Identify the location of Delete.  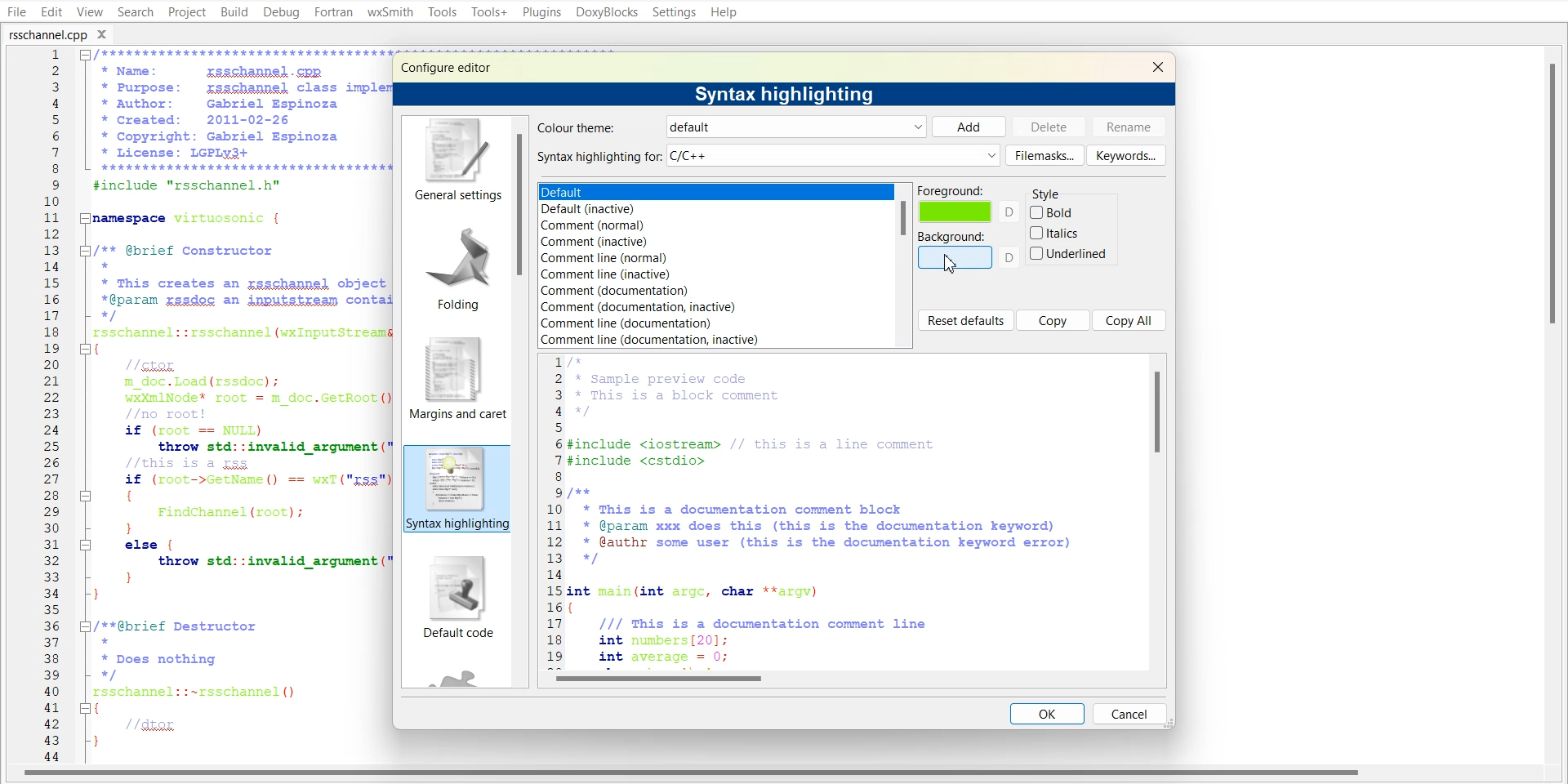
(1049, 126).